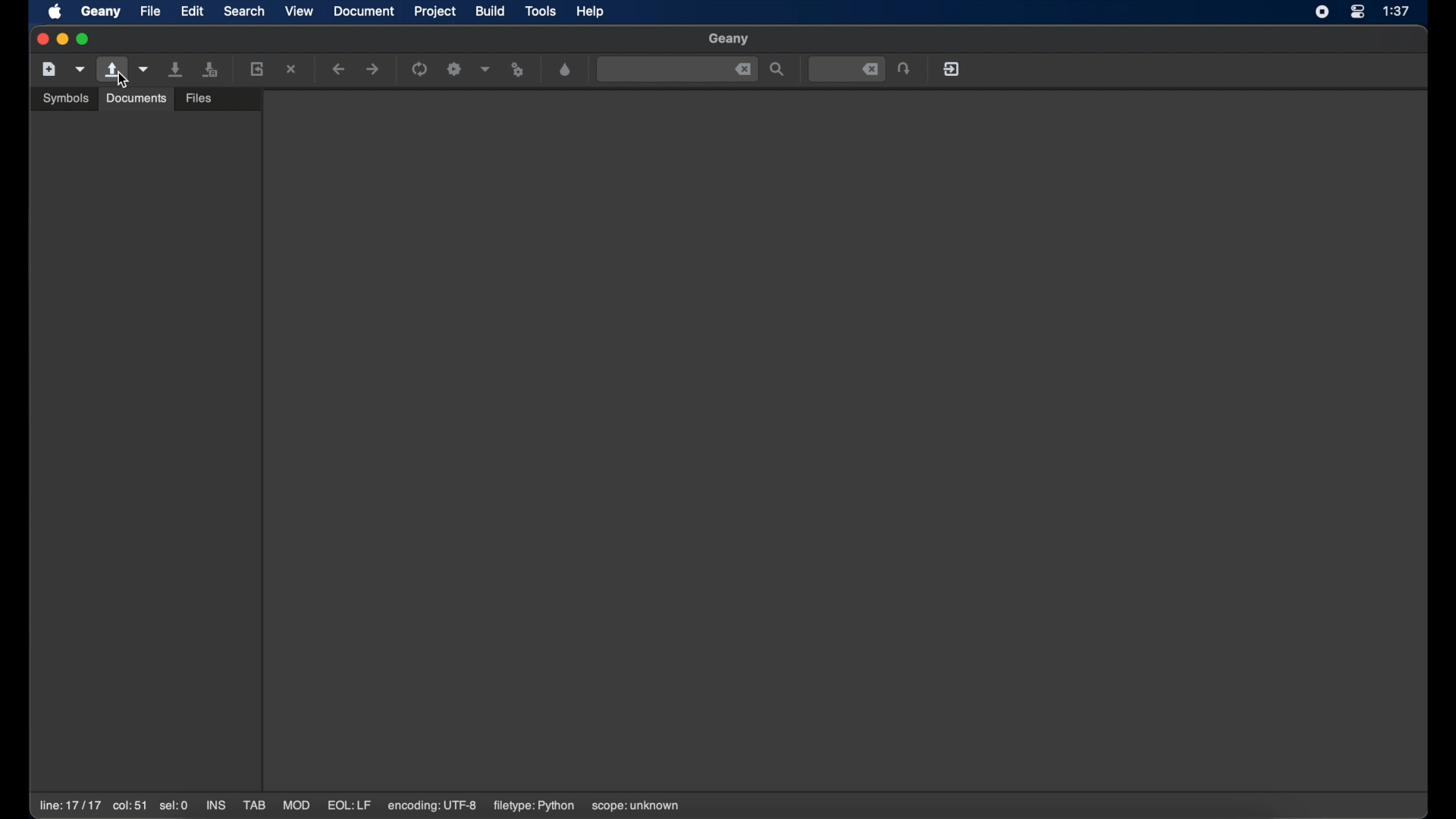 The image size is (1456, 819). Describe the element at coordinates (729, 39) in the screenshot. I see `geany` at that location.